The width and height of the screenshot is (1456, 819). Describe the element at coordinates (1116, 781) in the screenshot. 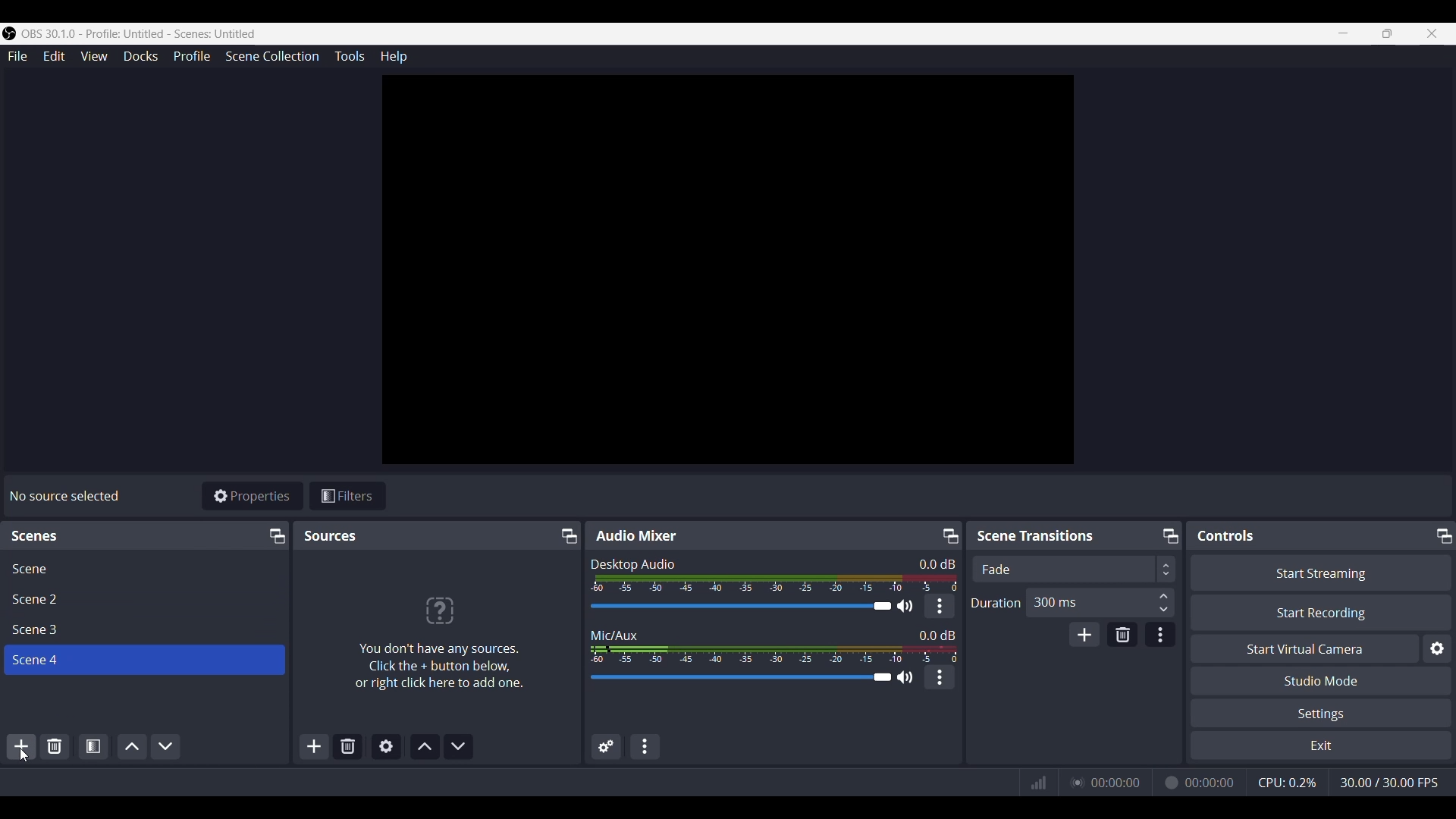

I see `00:00:00` at that location.